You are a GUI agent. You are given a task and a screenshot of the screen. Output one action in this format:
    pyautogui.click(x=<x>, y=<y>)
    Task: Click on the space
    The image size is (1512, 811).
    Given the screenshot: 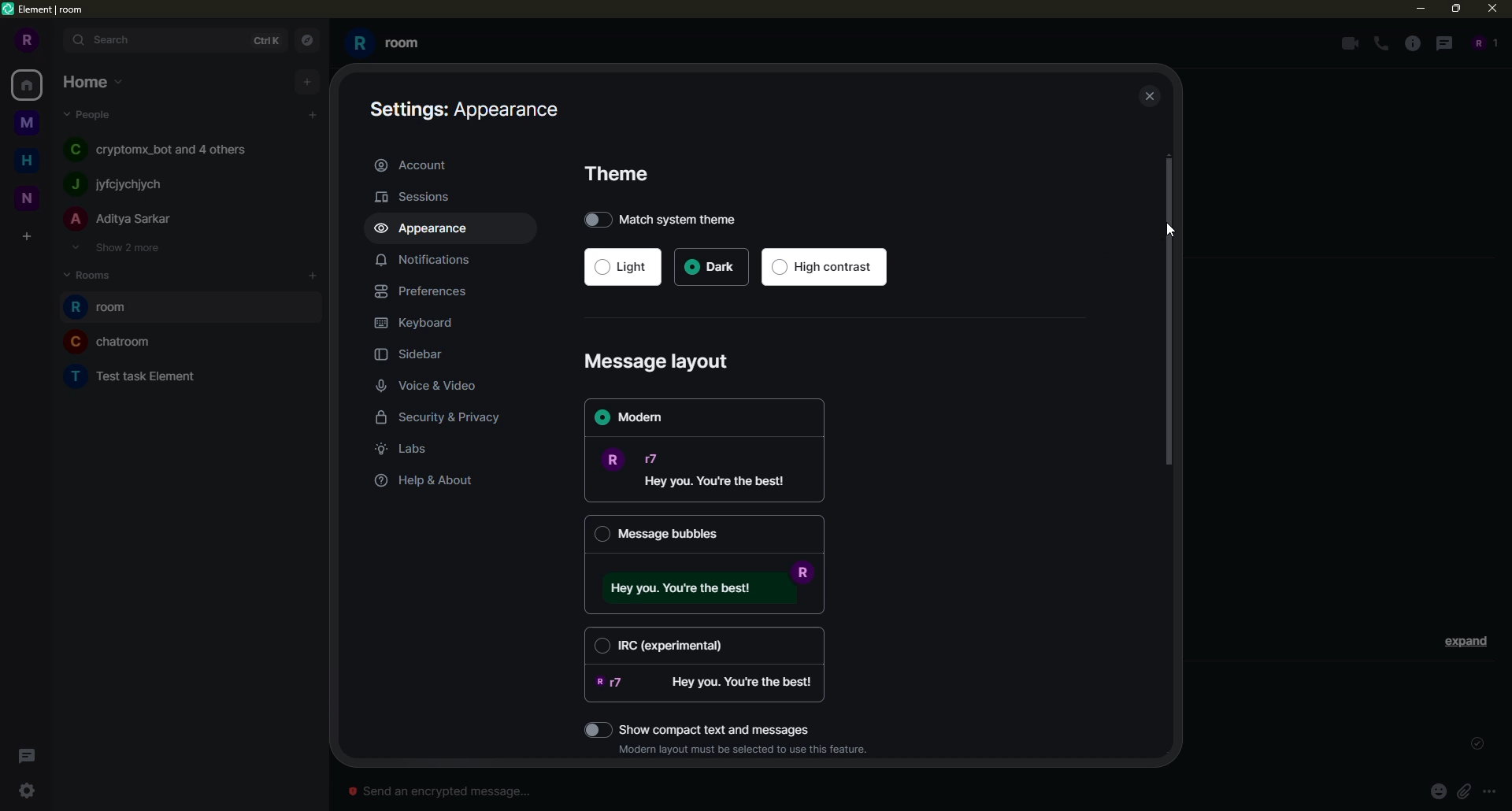 What is the action you would take?
    pyautogui.click(x=28, y=124)
    